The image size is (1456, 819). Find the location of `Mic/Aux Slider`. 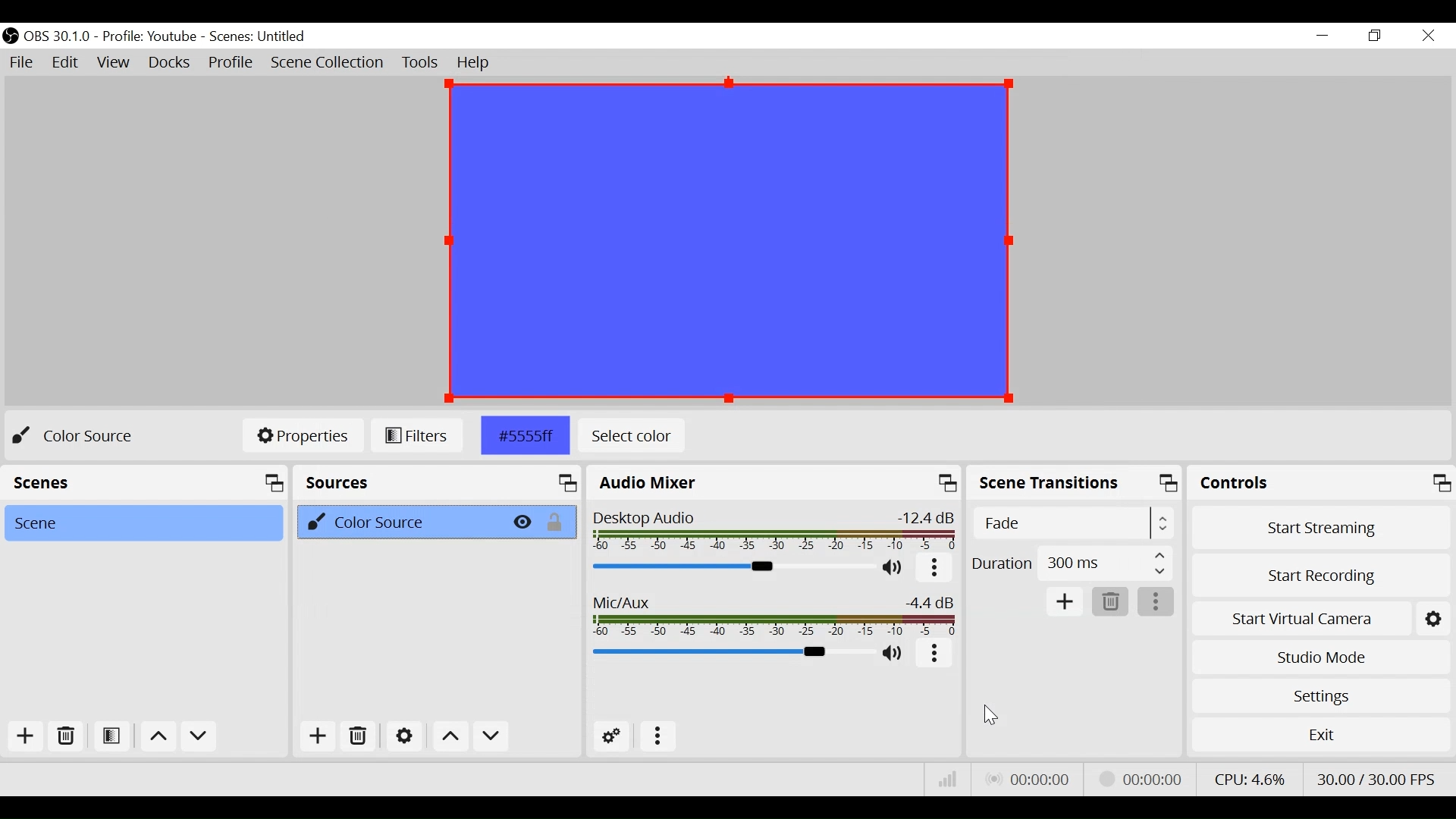

Mic/Aux Slider is located at coordinates (777, 617).